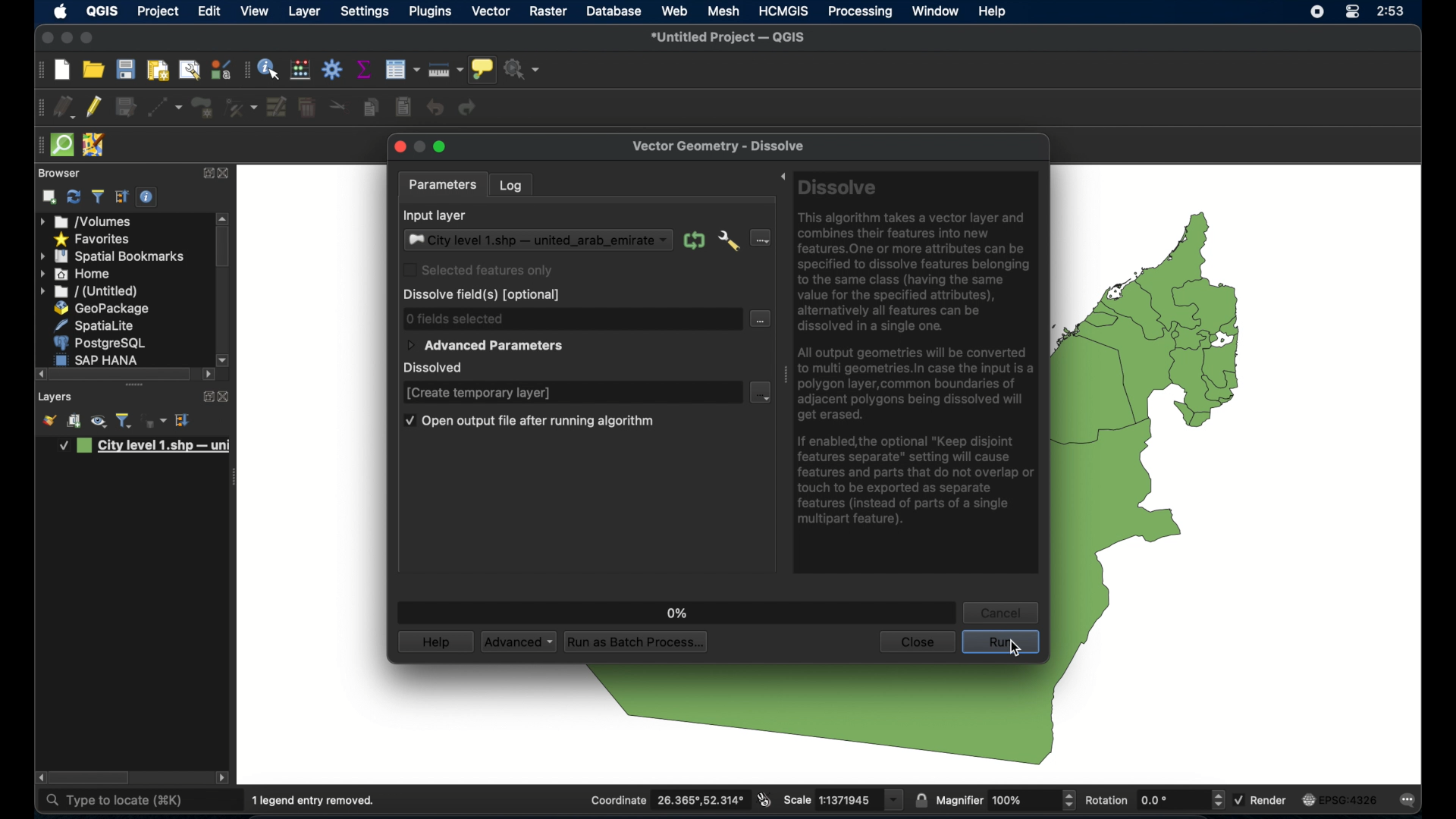 The height and width of the screenshot is (819, 1456). What do you see at coordinates (994, 12) in the screenshot?
I see `help` at bounding box center [994, 12].